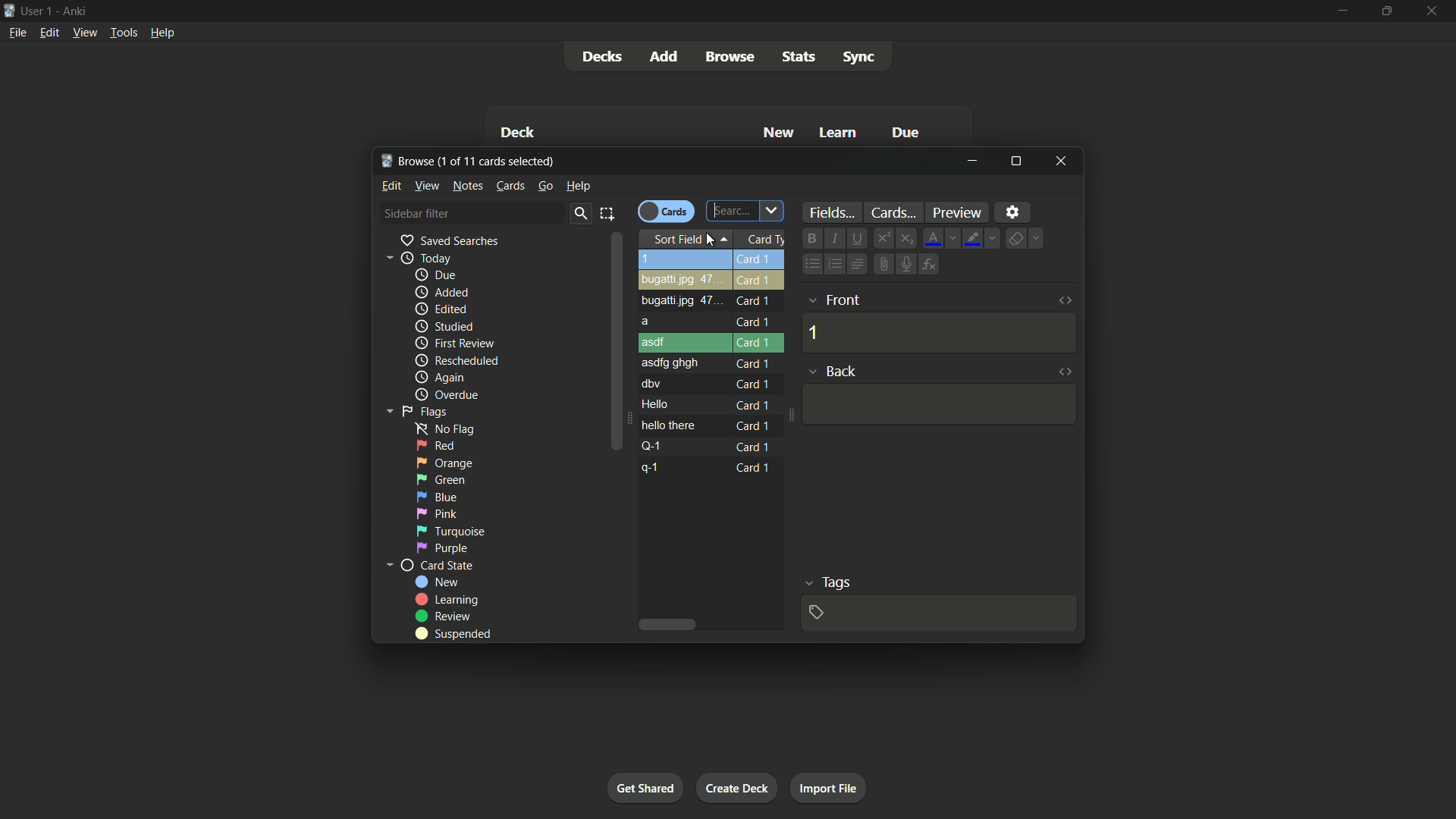  I want to click on added, so click(441, 292).